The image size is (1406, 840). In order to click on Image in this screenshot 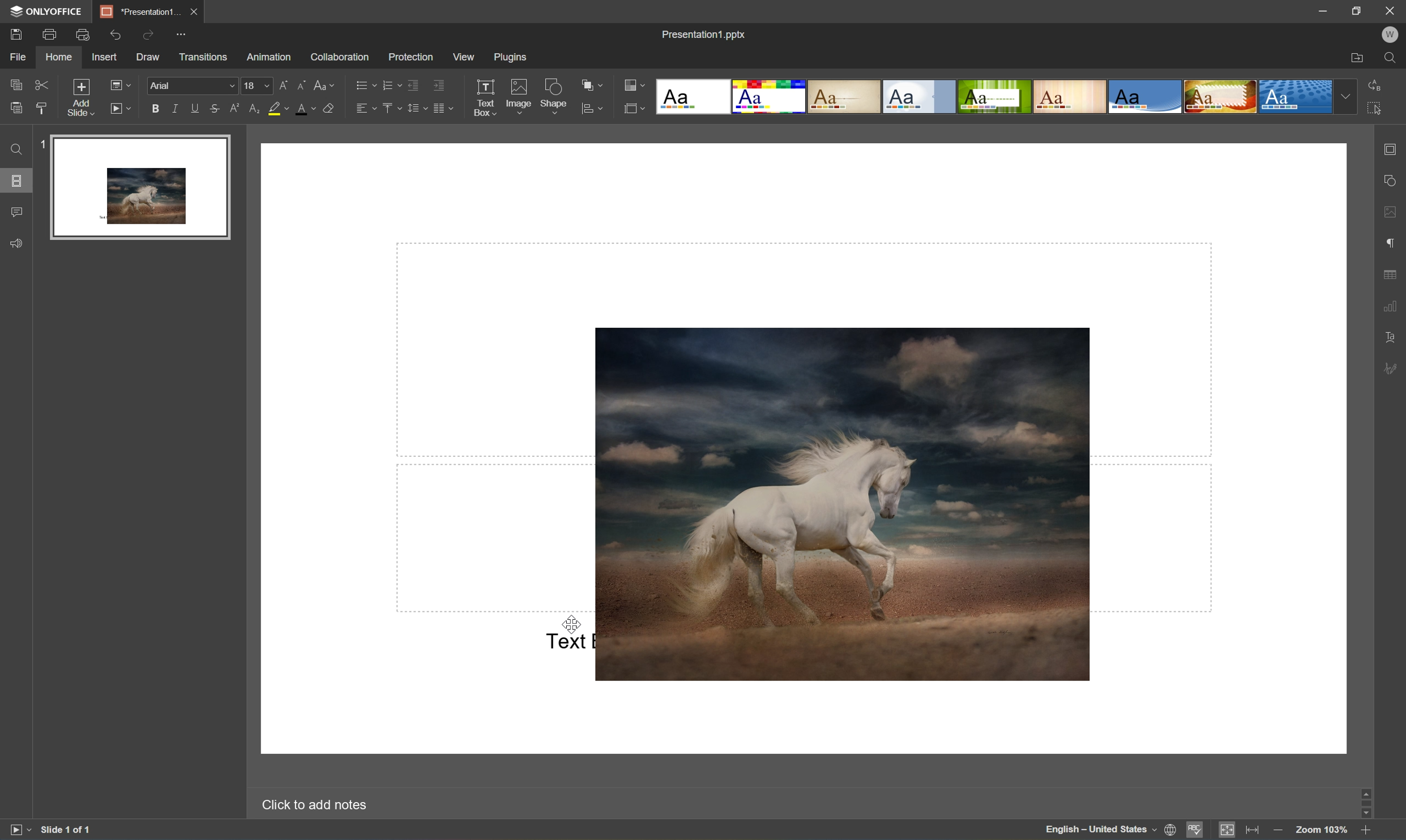, I will do `click(518, 96)`.